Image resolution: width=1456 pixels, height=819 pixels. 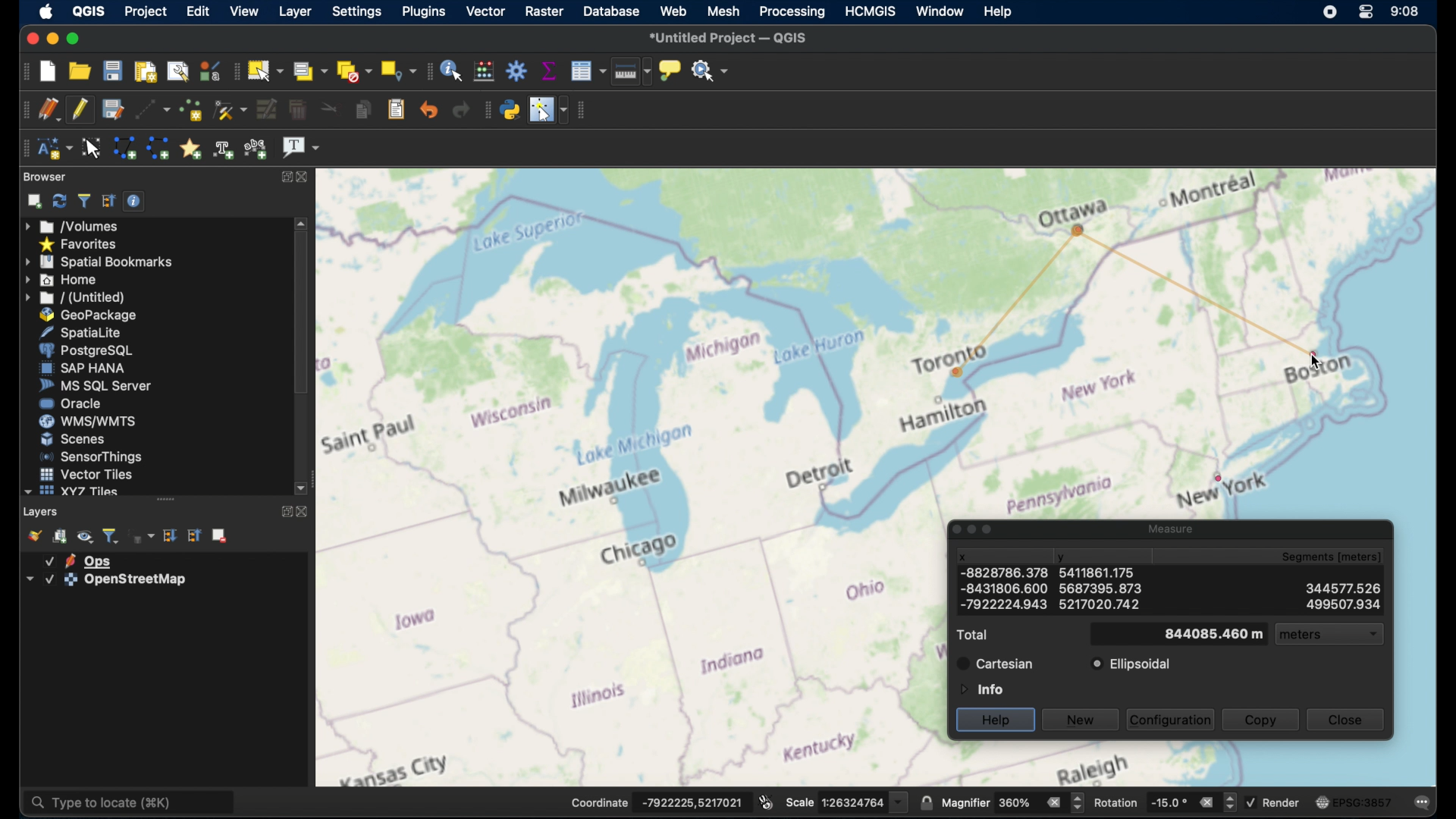 What do you see at coordinates (873, 11) in the screenshot?
I see `HCMGIS` at bounding box center [873, 11].